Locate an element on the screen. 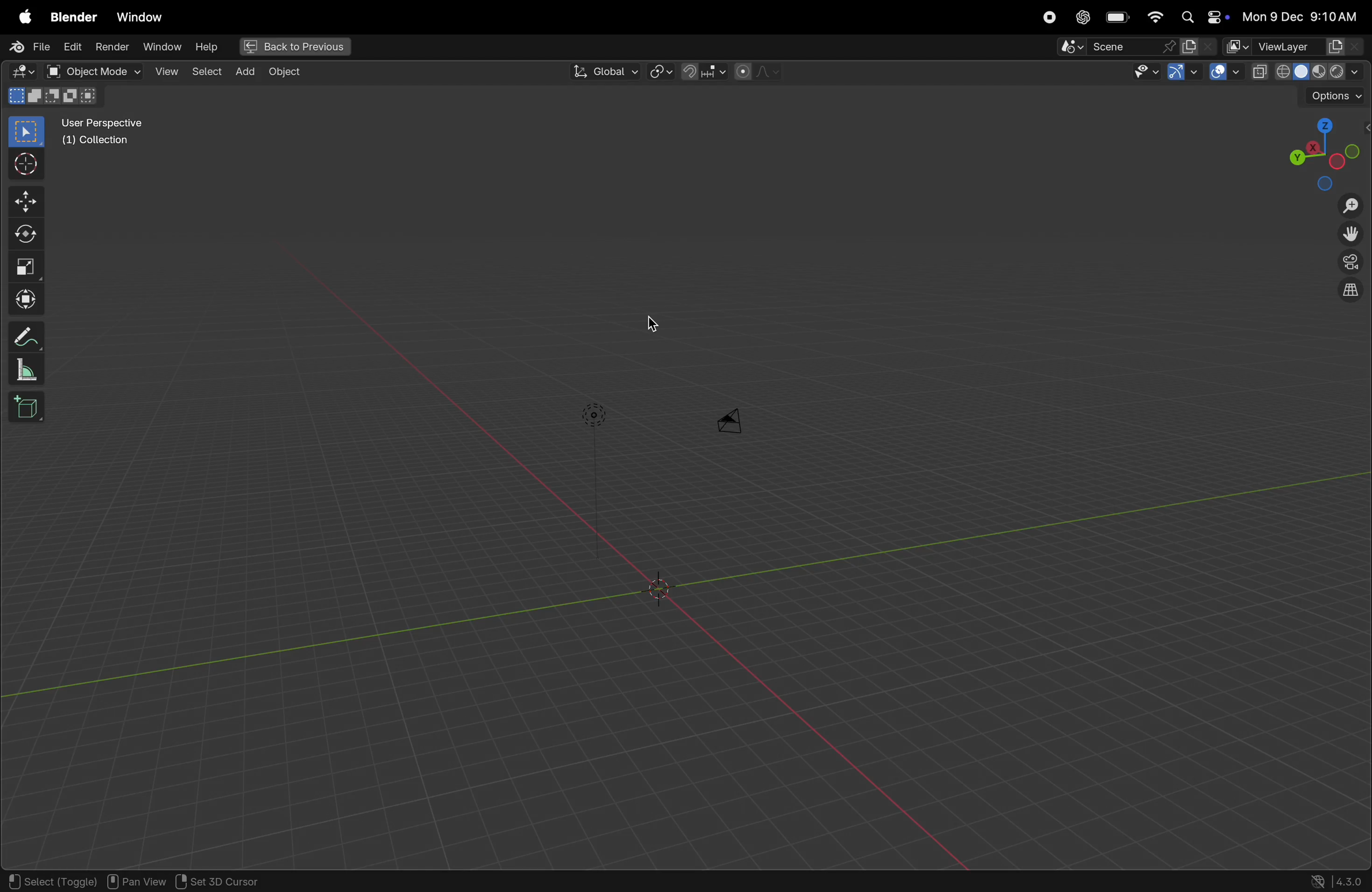 This screenshot has width=1372, height=892. chatgpt is located at coordinates (1081, 17).